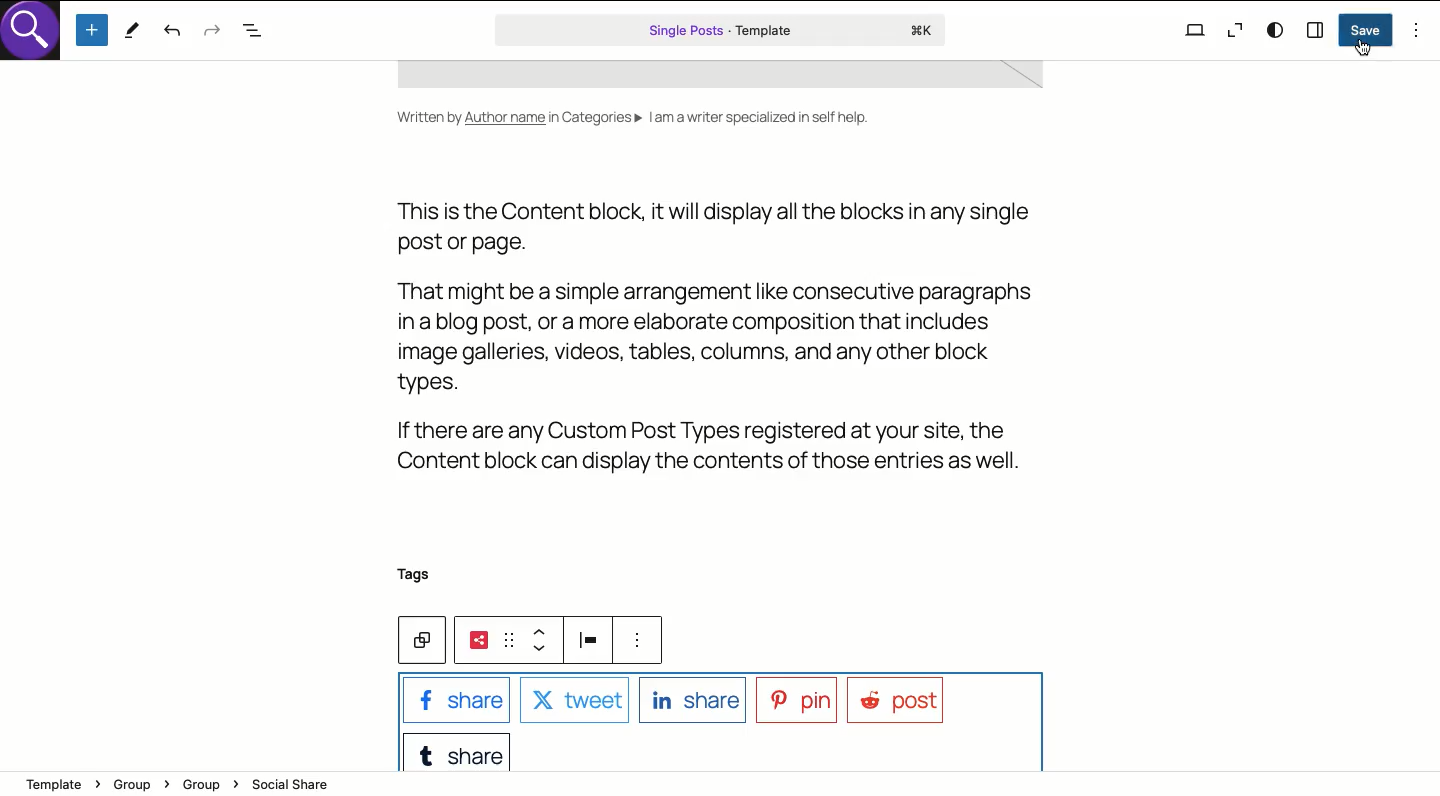 The height and width of the screenshot is (796, 1440). What do you see at coordinates (796, 701) in the screenshot?
I see `Pinterest` at bounding box center [796, 701].